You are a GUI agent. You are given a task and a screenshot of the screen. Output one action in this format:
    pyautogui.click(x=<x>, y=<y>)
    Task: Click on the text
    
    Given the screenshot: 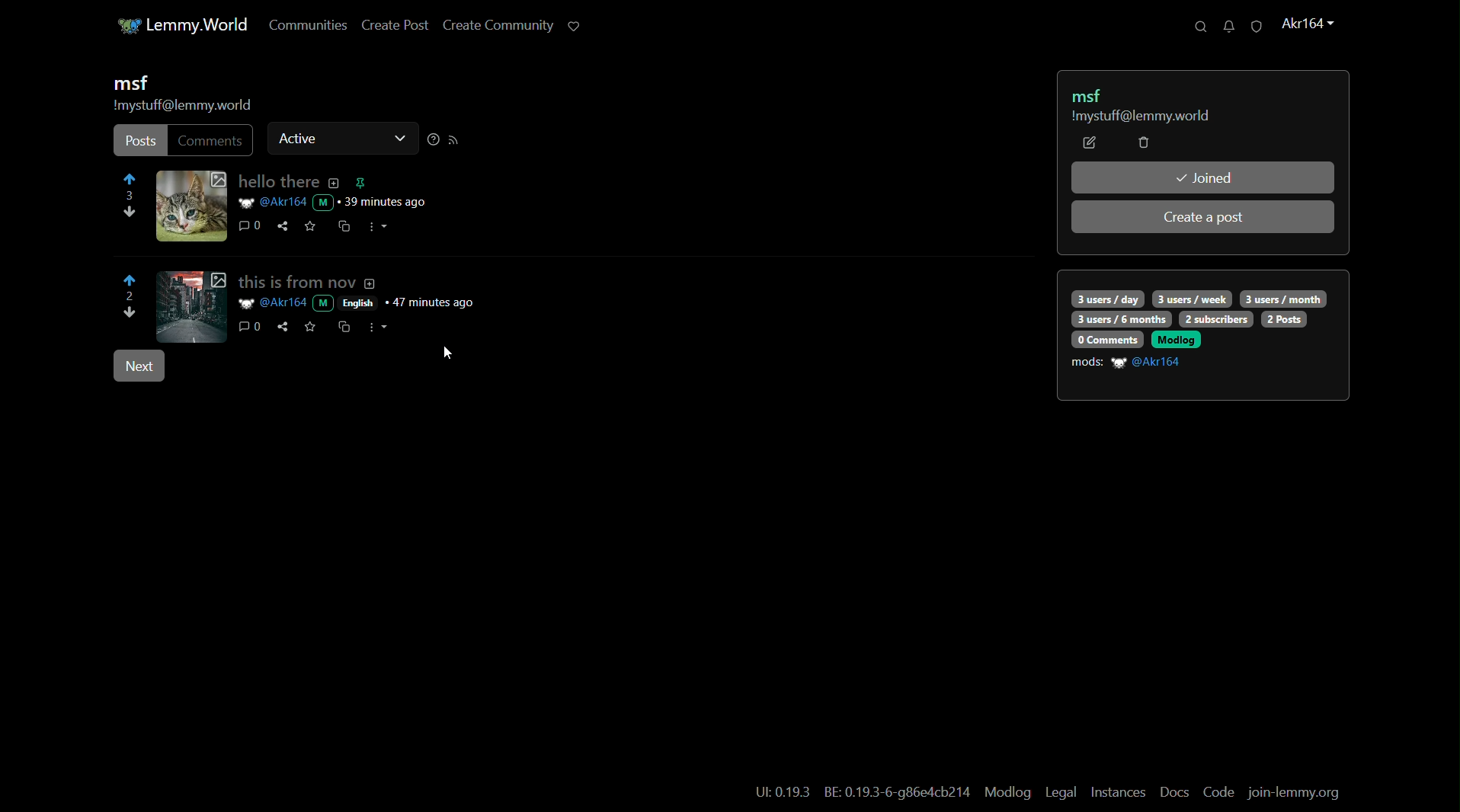 What is the action you would take?
    pyautogui.click(x=783, y=793)
    